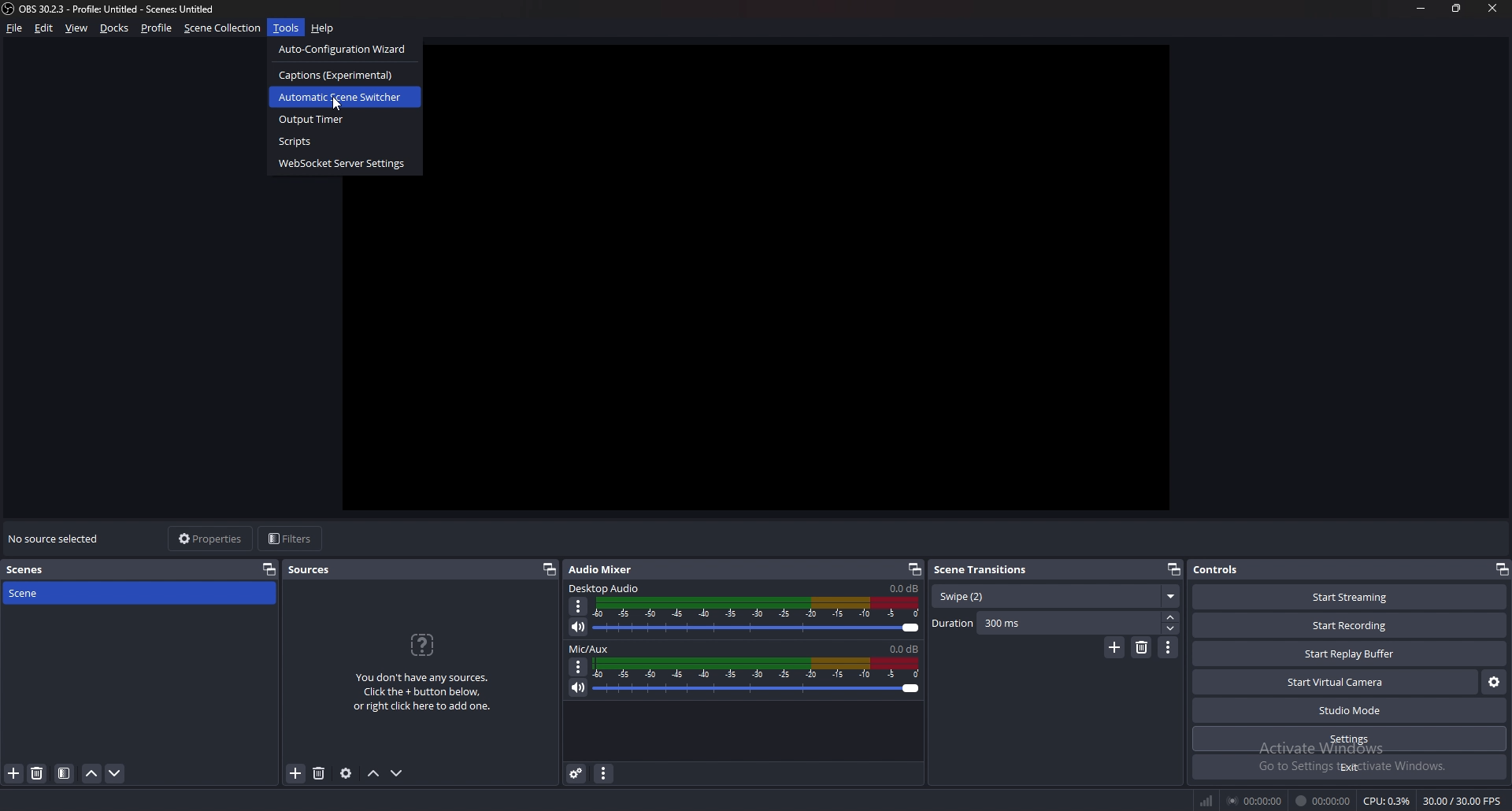 The height and width of the screenshot is (811, 1512). Describe the element at coordinates (1173, 628) in the screenshot. I see `decrease duration` at that location.